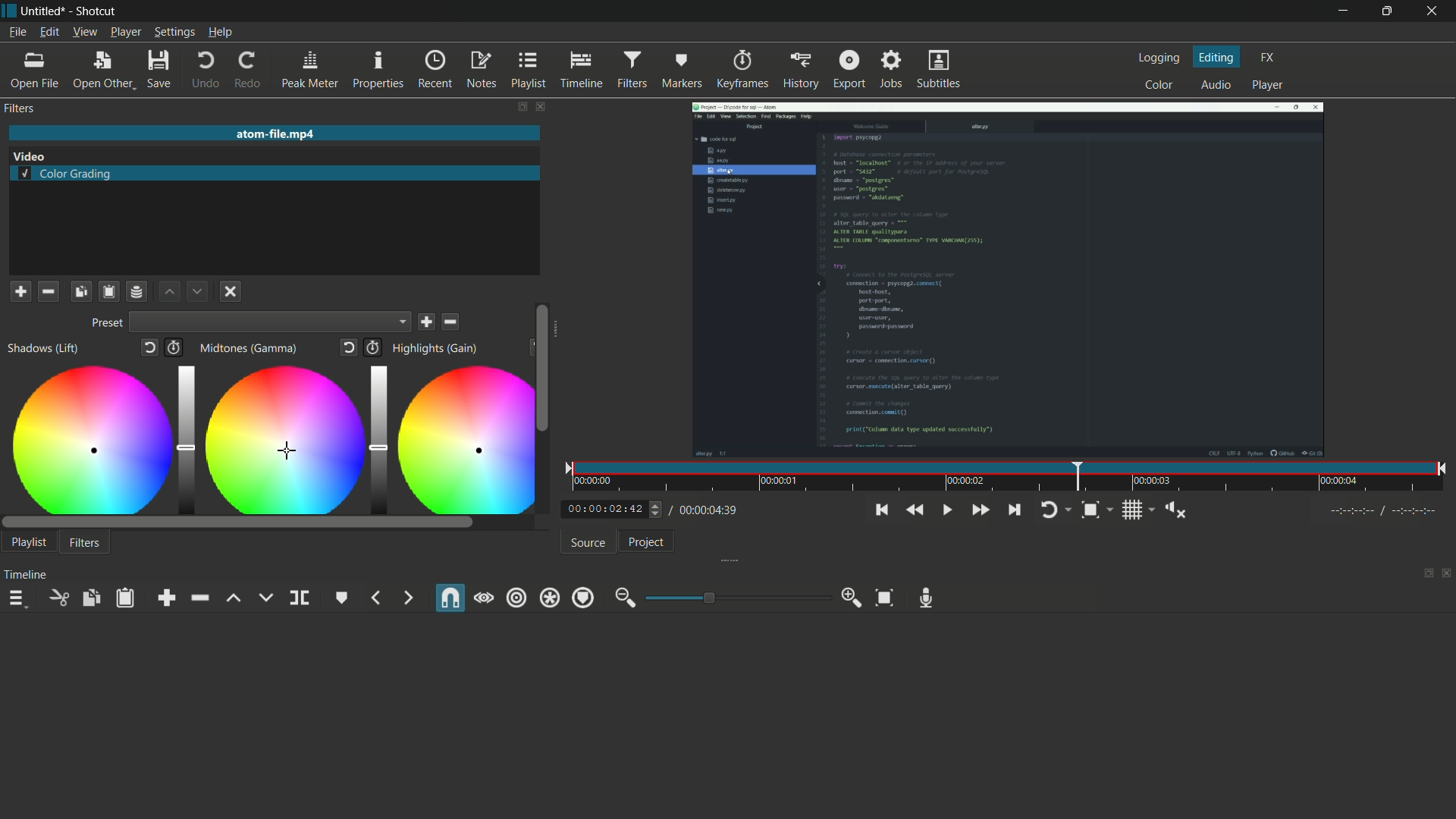 The image size is (1456, 819). I want to click on record audio, so click(927, 598).